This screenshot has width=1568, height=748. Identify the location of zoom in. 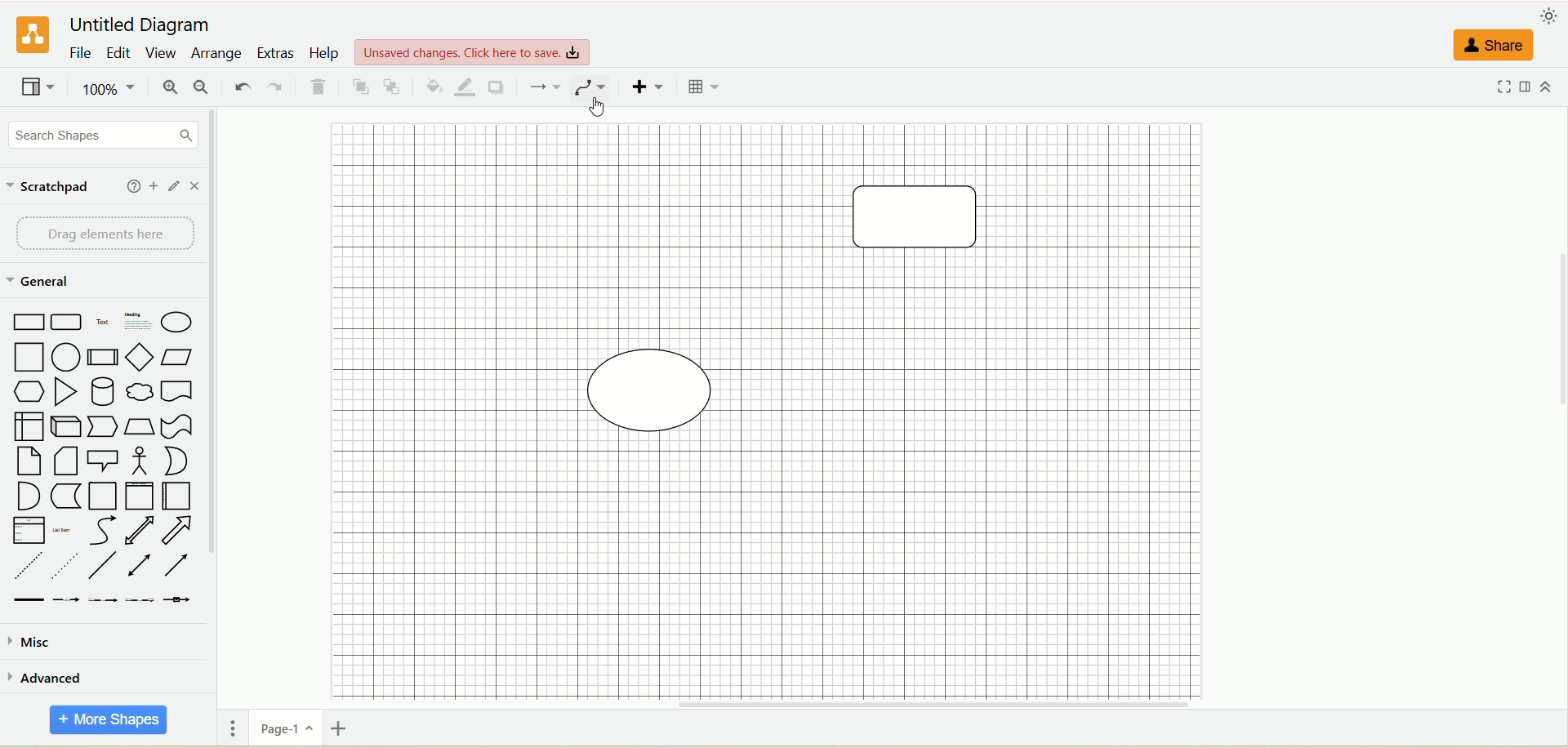
(174, 89).